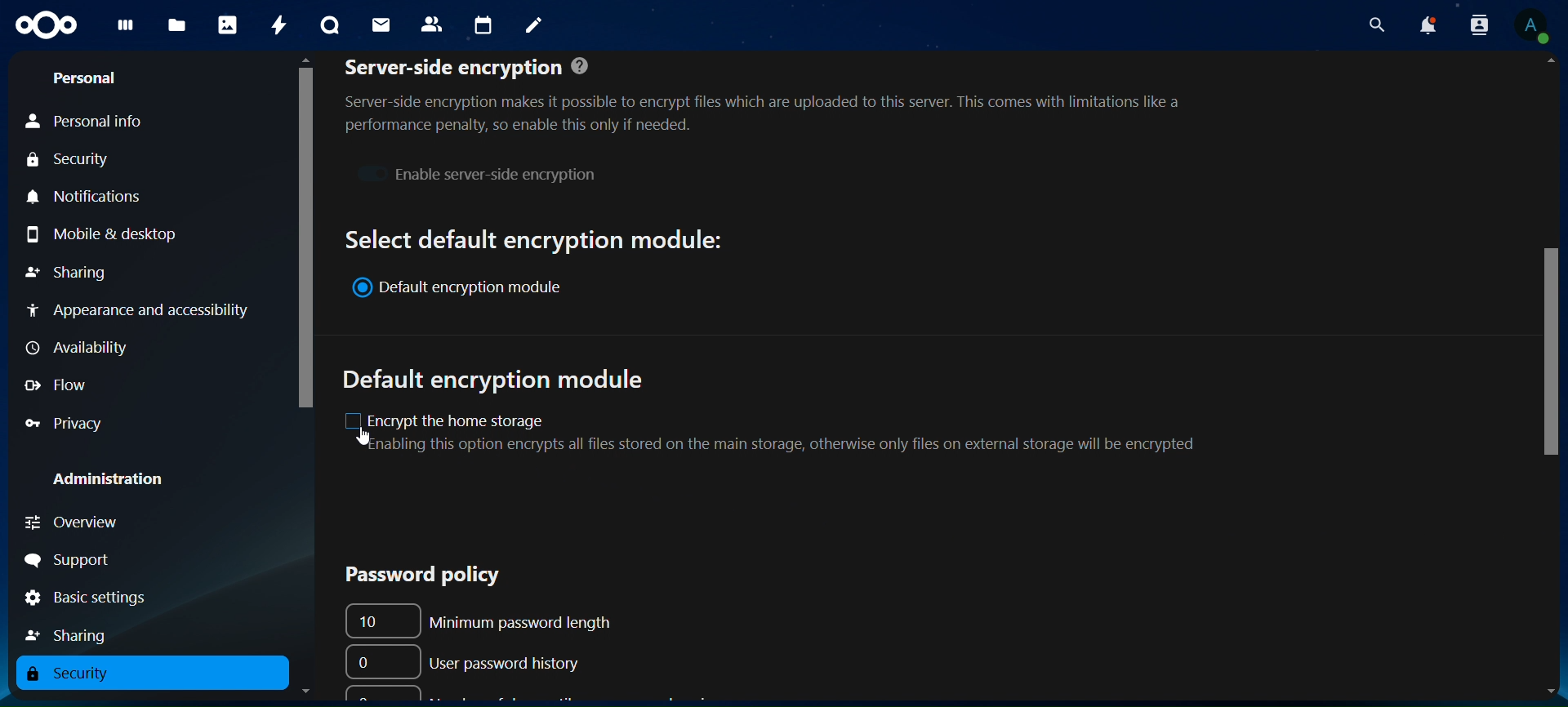 The width and height of the screenshot is (1568, 707). Describe the element at coordinates (70, 162) in the screenshot. I see `security` at that location.